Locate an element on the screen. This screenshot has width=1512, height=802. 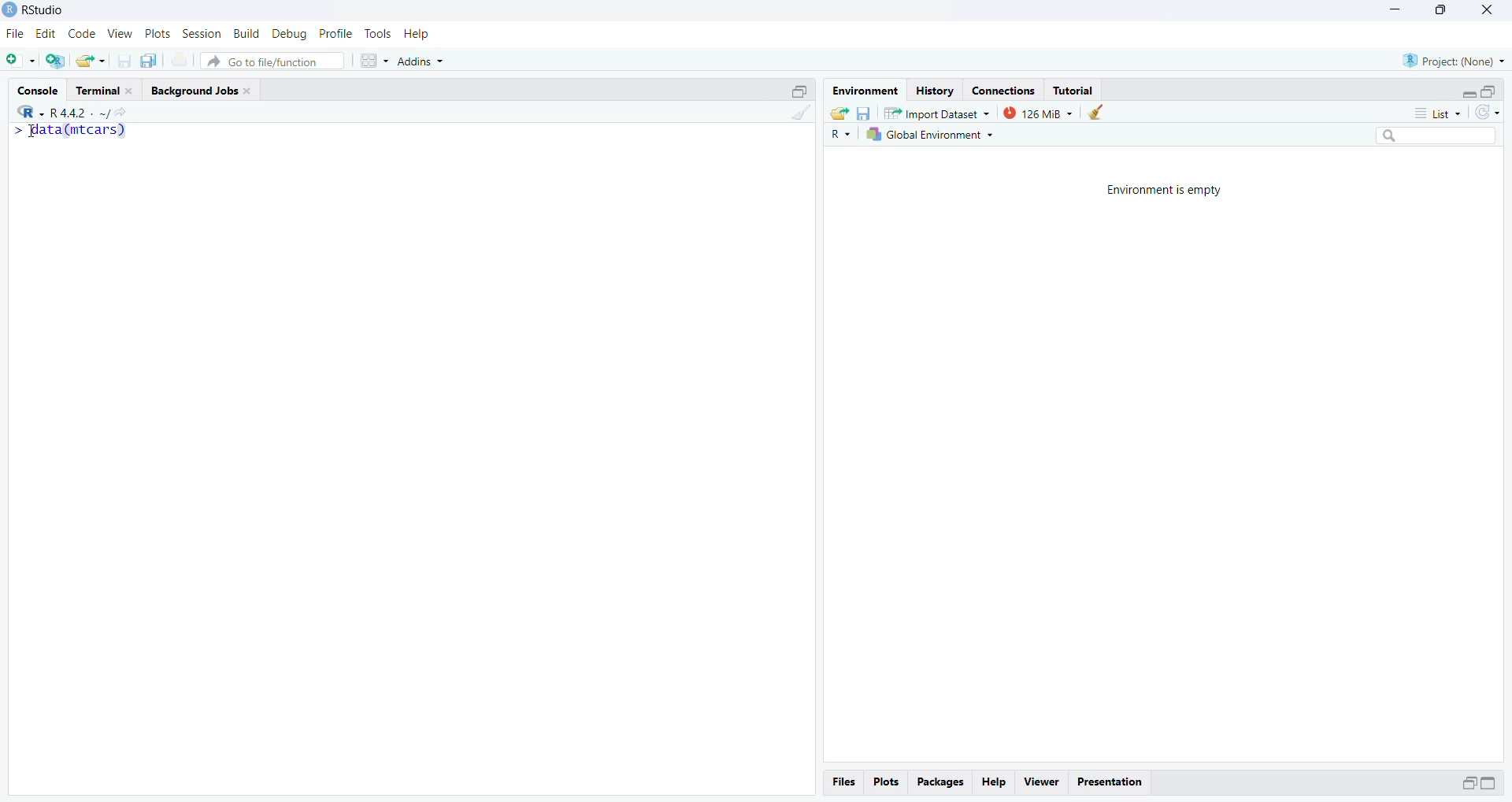
Profile is located at coordinates (335, 34).